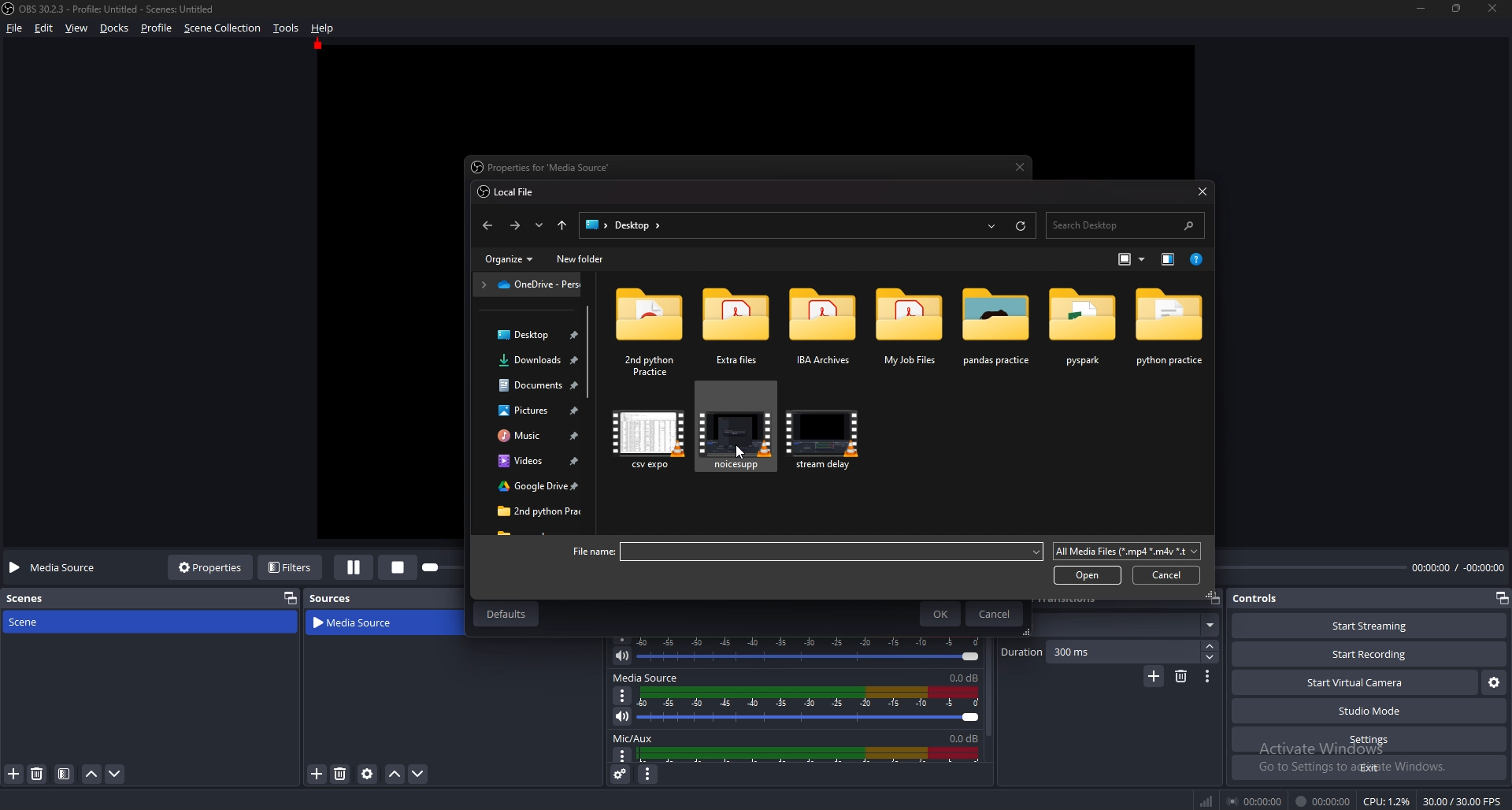 The width and height of the screenshot is (1512, 810). I want to click on settings, so click(1367, 740).